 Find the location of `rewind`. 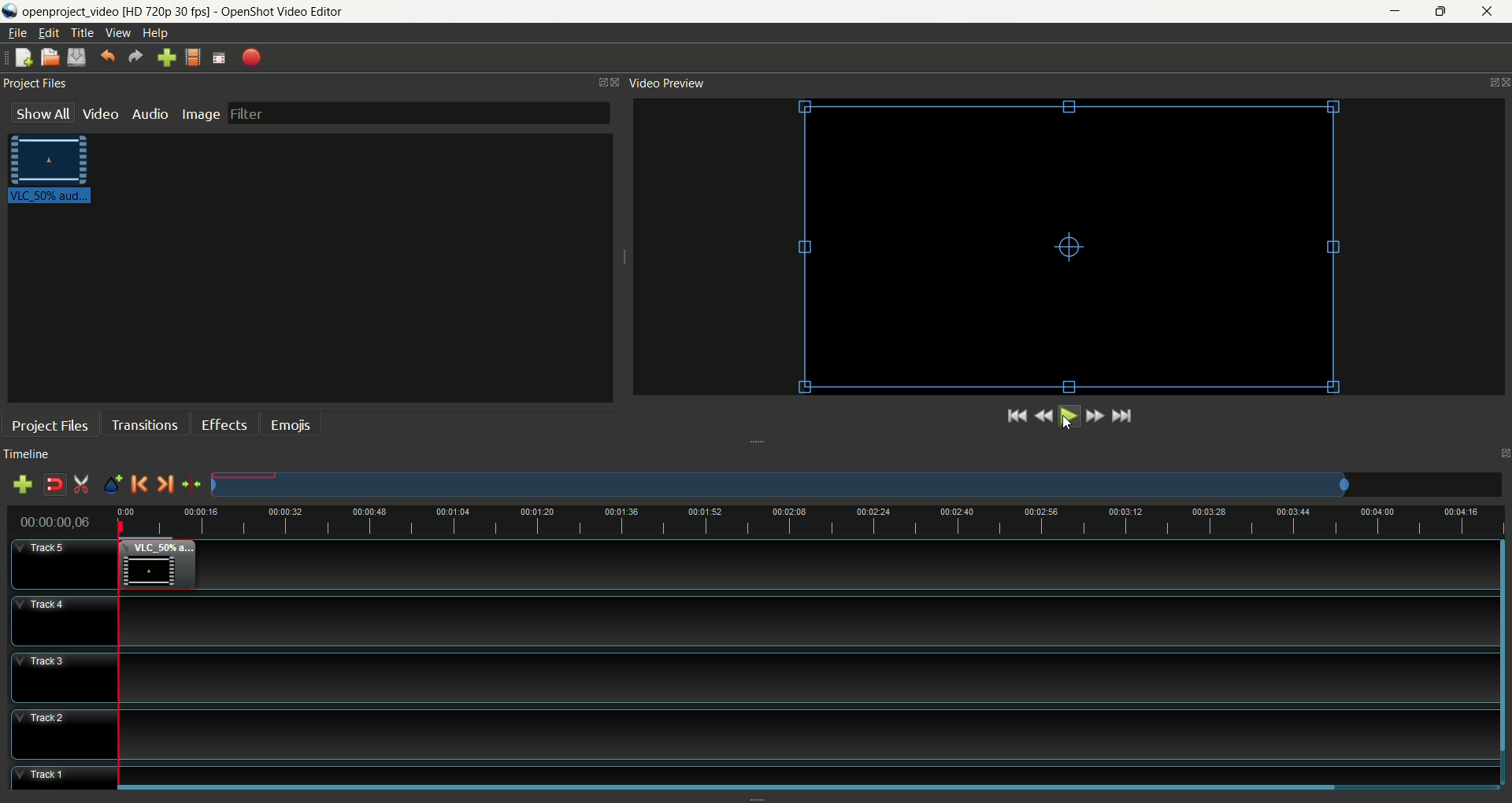

rewind is located at coordinates (1043, 417).